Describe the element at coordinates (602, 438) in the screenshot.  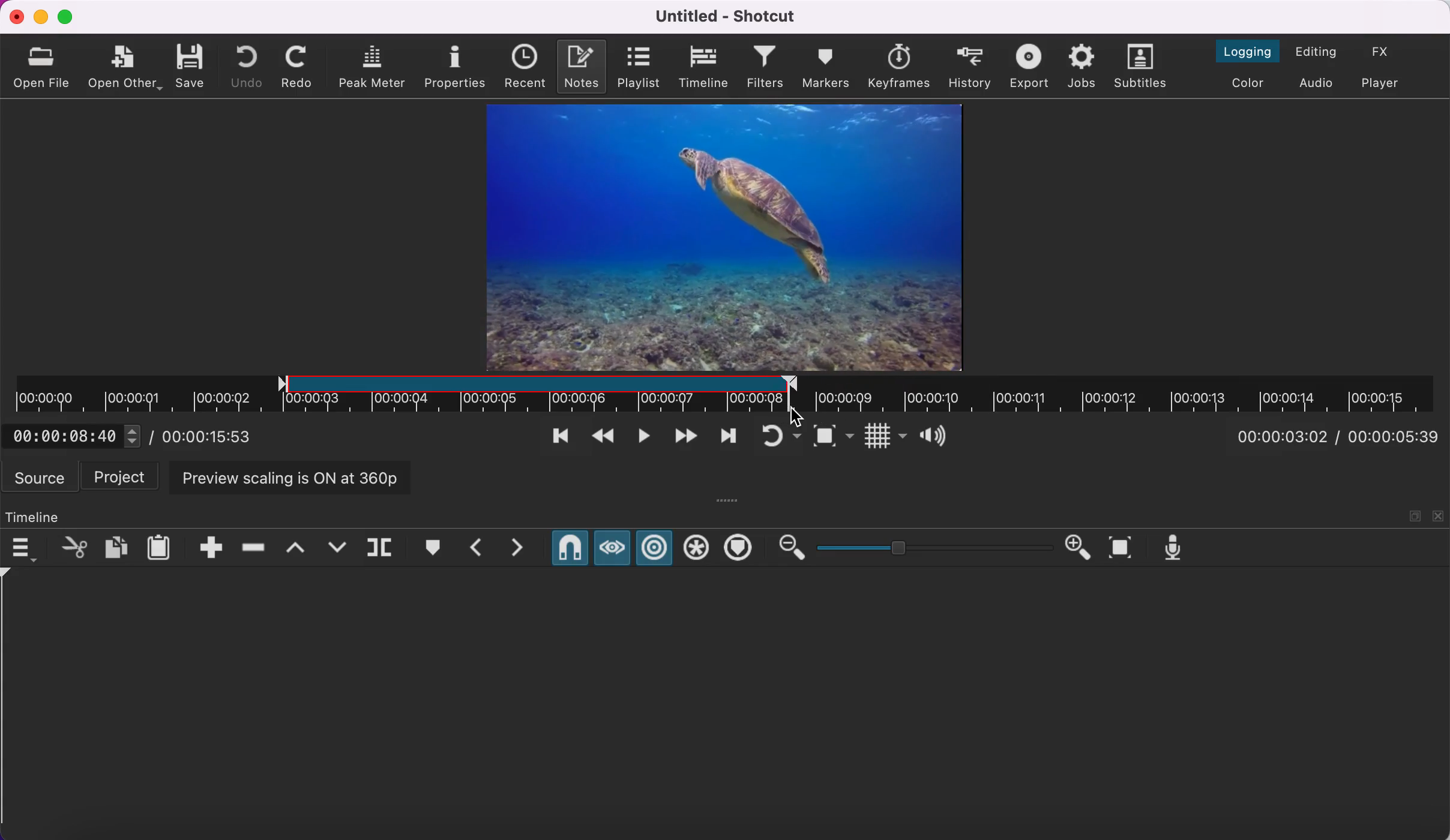
I see `play quickly backwards` at that location.